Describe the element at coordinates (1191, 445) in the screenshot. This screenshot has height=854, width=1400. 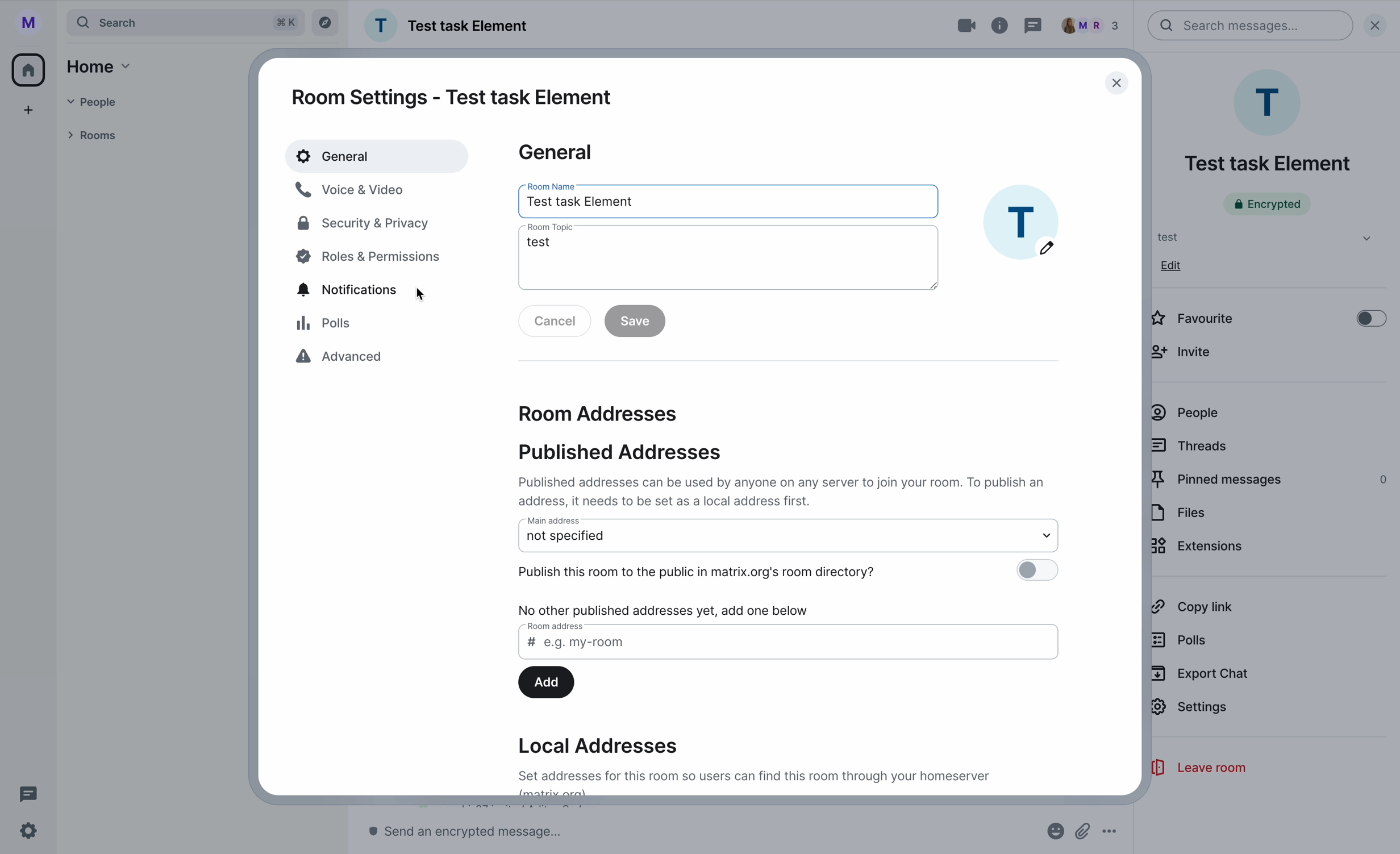
I see `threads` at that location.